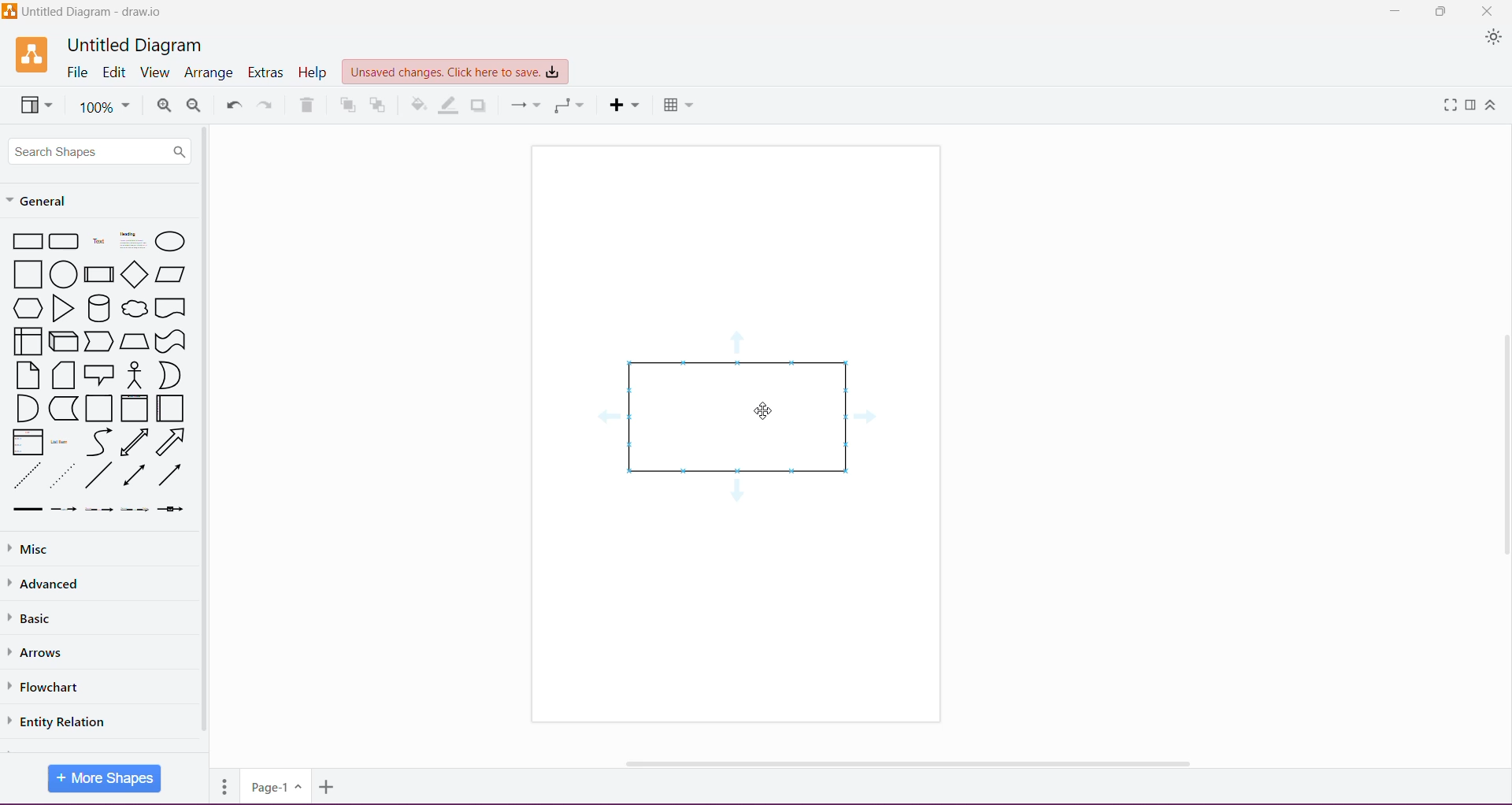 Image resolution: width=1512 pixels, height=805 pixels. What do you see at coordinates (105, 778) in the screenshot?
I see `More Shapes` at bounding box center [105, 778].